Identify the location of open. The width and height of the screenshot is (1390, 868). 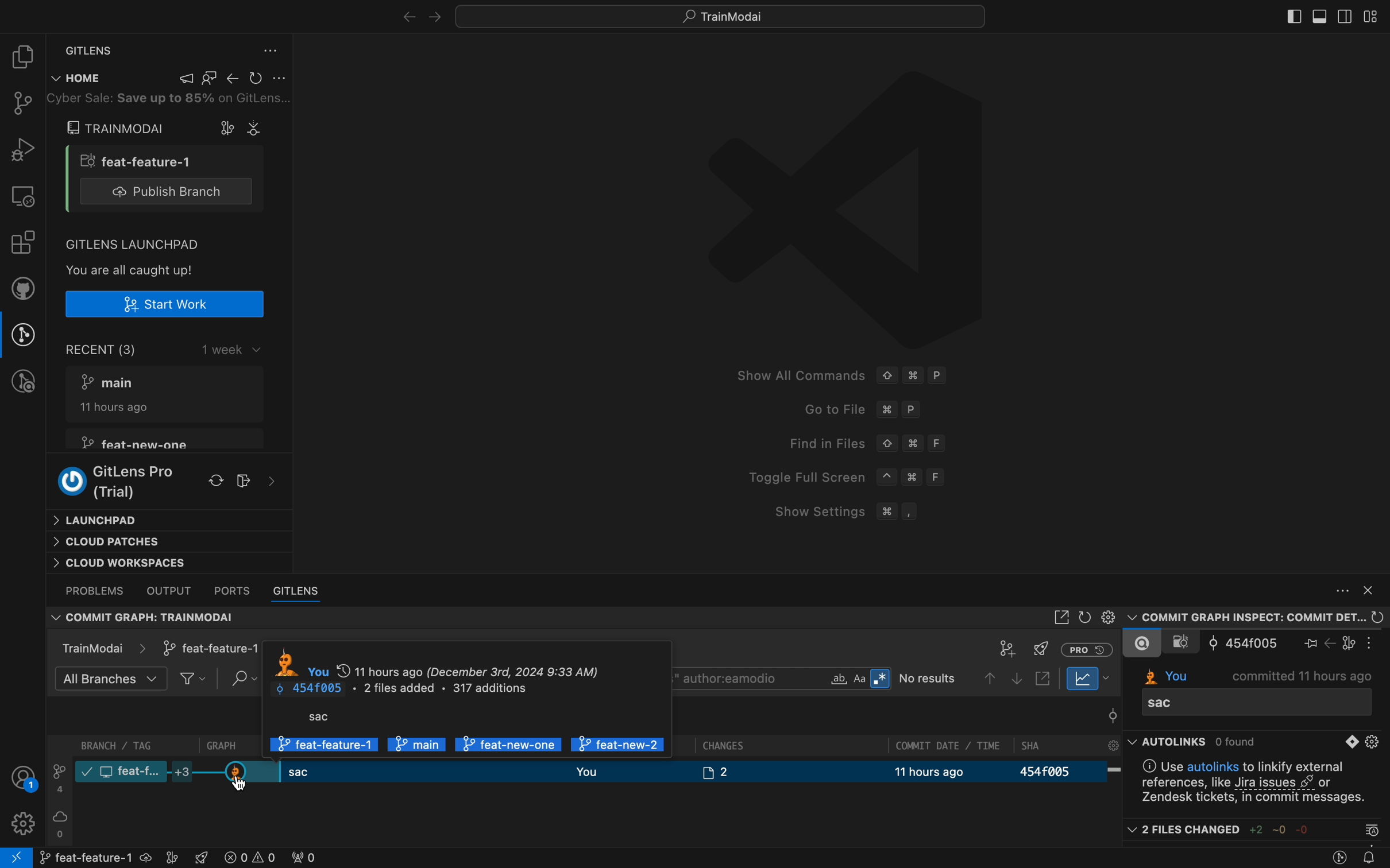
(229, 129).